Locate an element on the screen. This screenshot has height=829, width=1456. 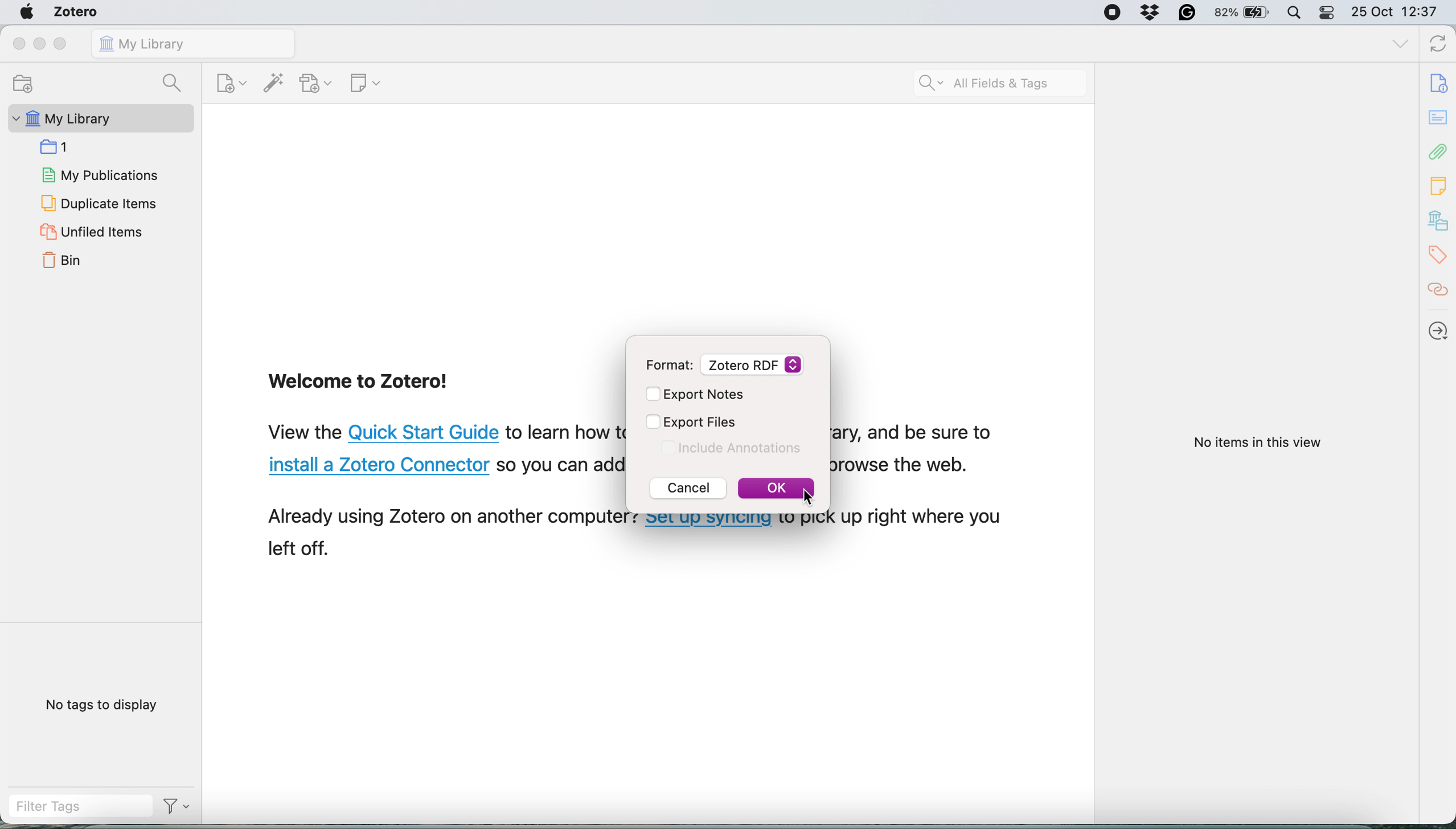
Filter Options is located at coordinates (179, 809).